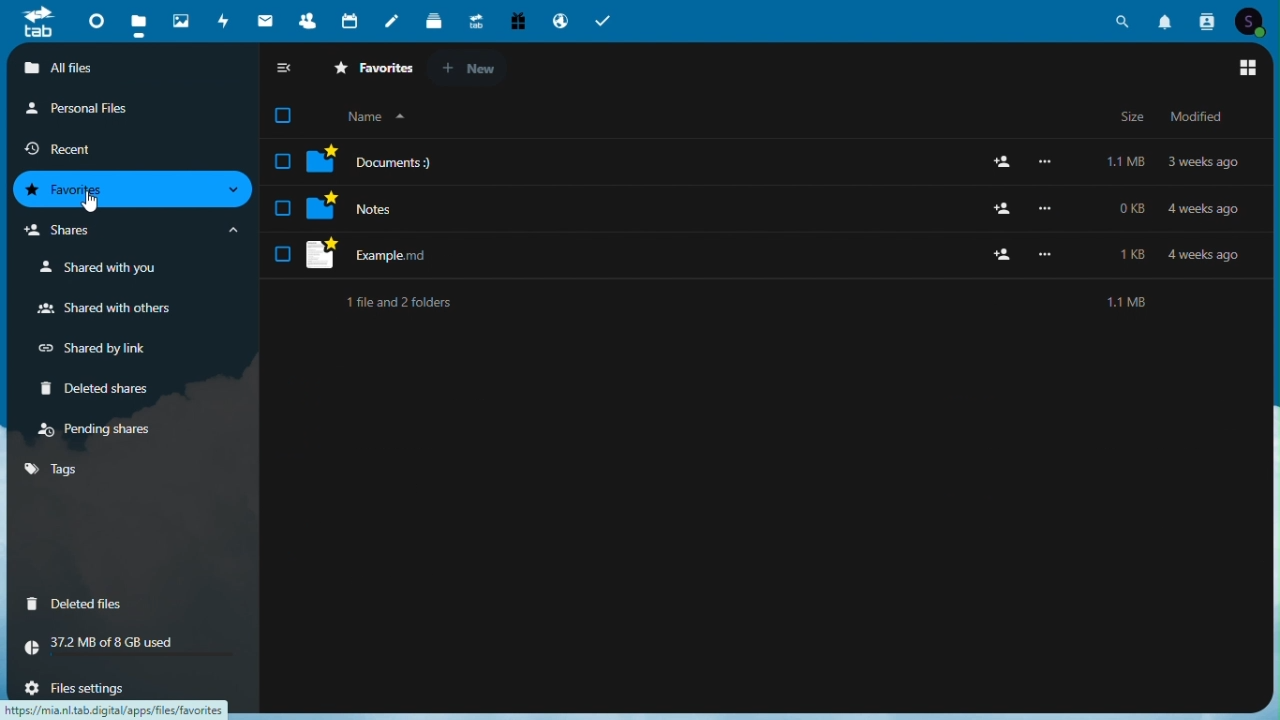 The height and width of the screenshot is (720, 1280). What do you see at coordinates (351, 18) in the screenshot?
I see `Calendar` at bounding box center [351, 18].